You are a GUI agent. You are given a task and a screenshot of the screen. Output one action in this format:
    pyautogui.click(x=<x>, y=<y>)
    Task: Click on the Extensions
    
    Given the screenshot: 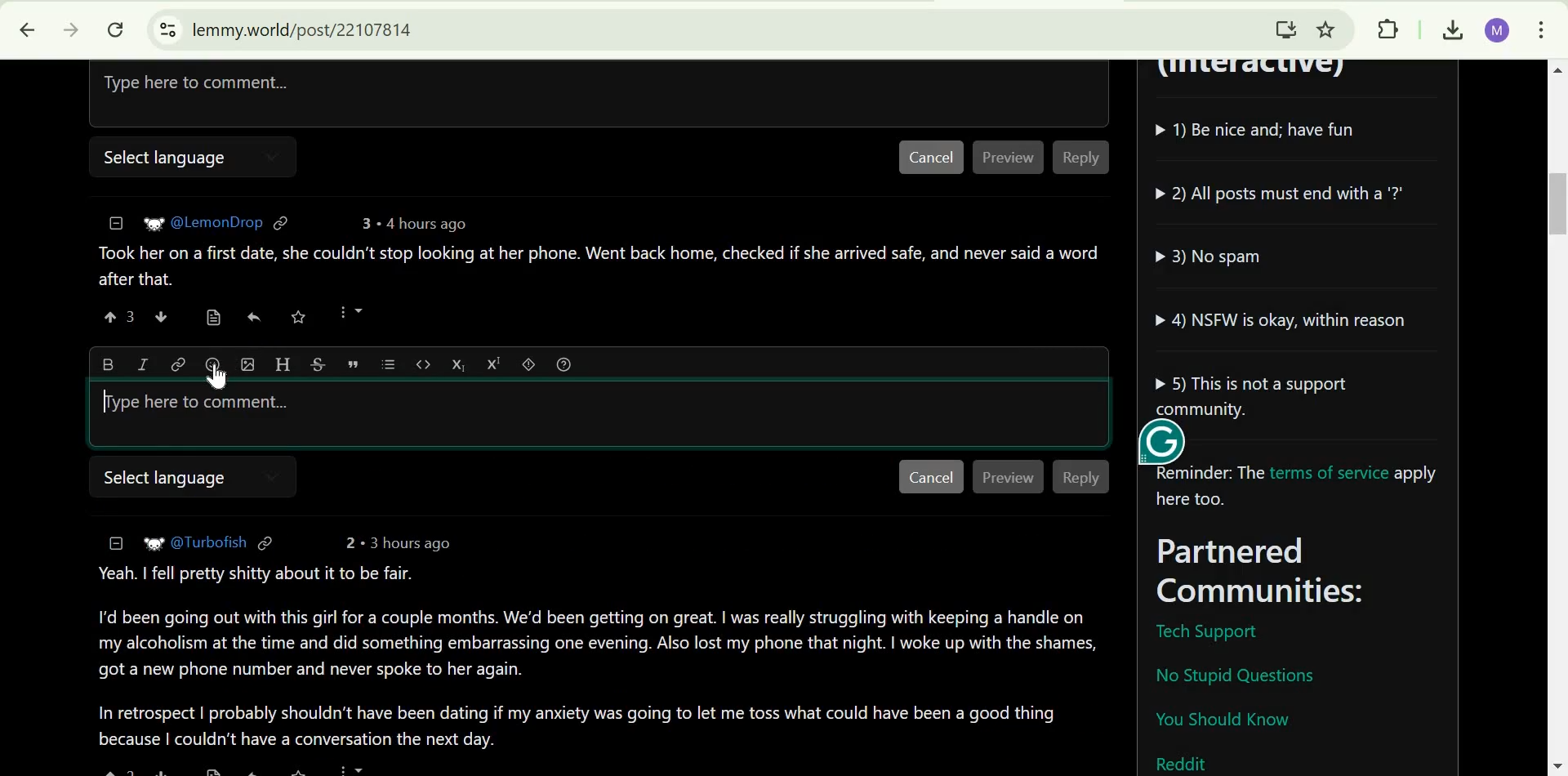 What is the action you would take?
    pyautogui.click(x=1388, y=29)
    